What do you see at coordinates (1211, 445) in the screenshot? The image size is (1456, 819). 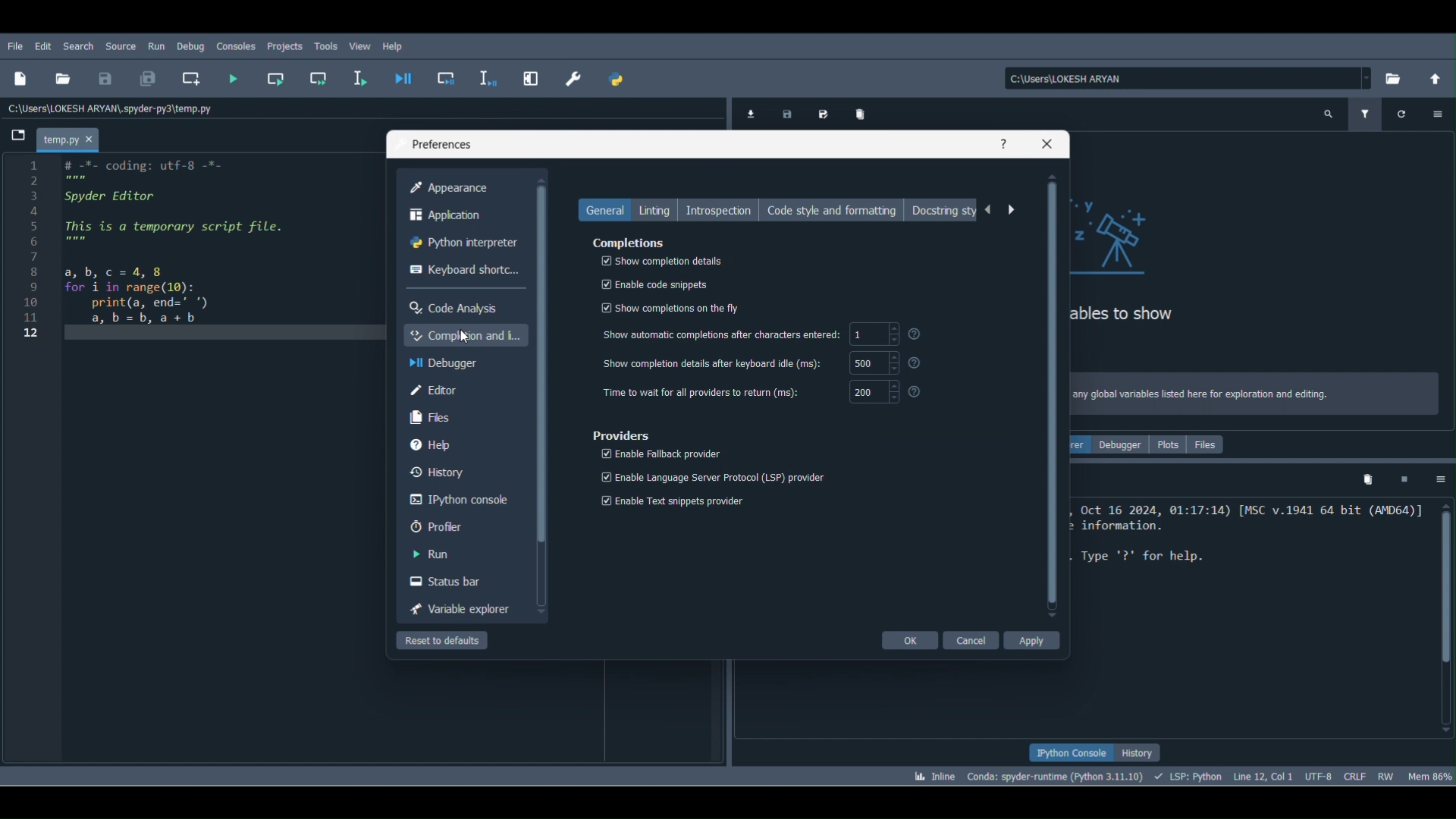 I see `Files` at bounding box center [1211, 445].